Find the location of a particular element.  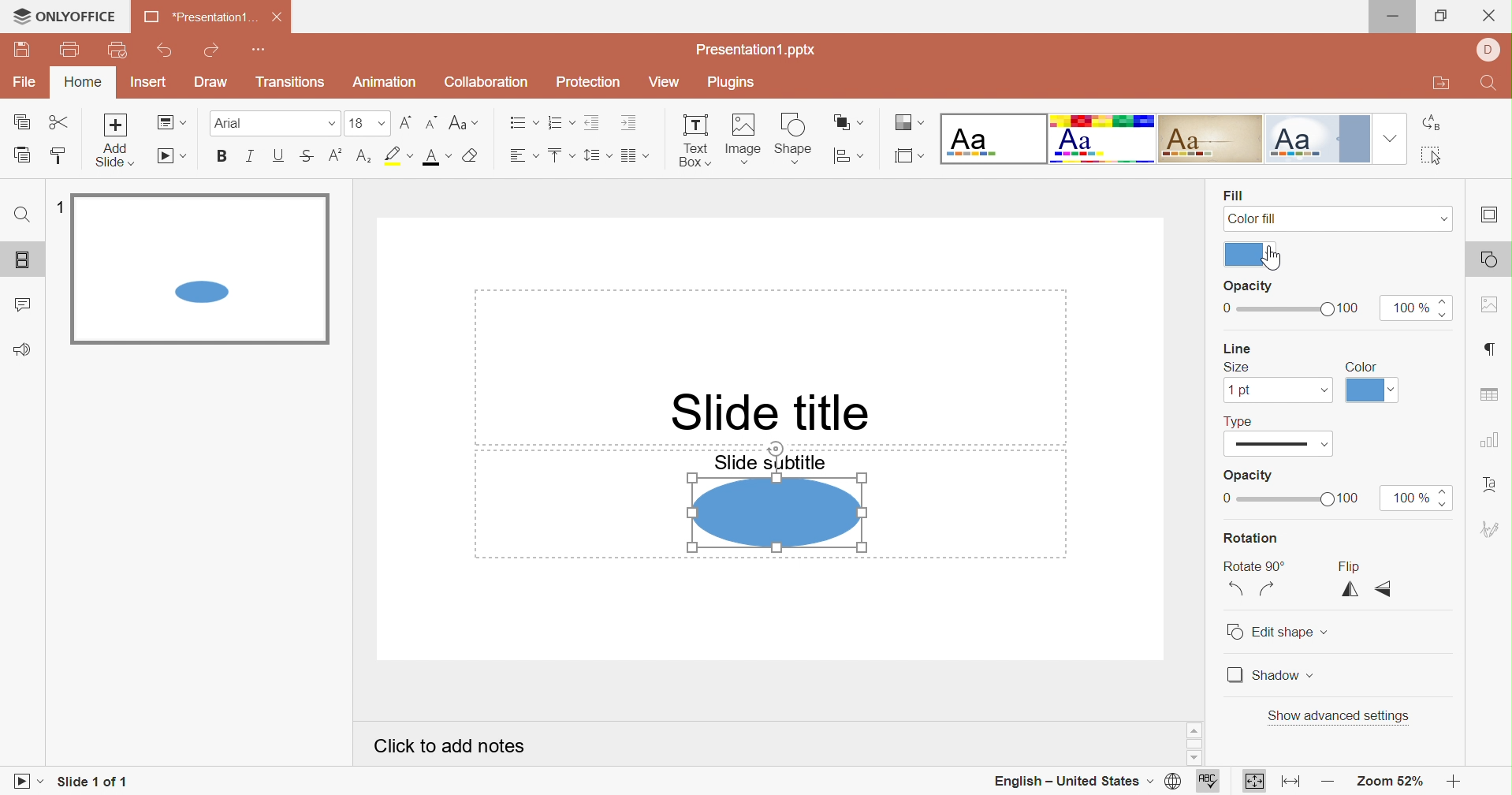

Rotate 90° Counterclockwise is located at coordinates (1236, 590).